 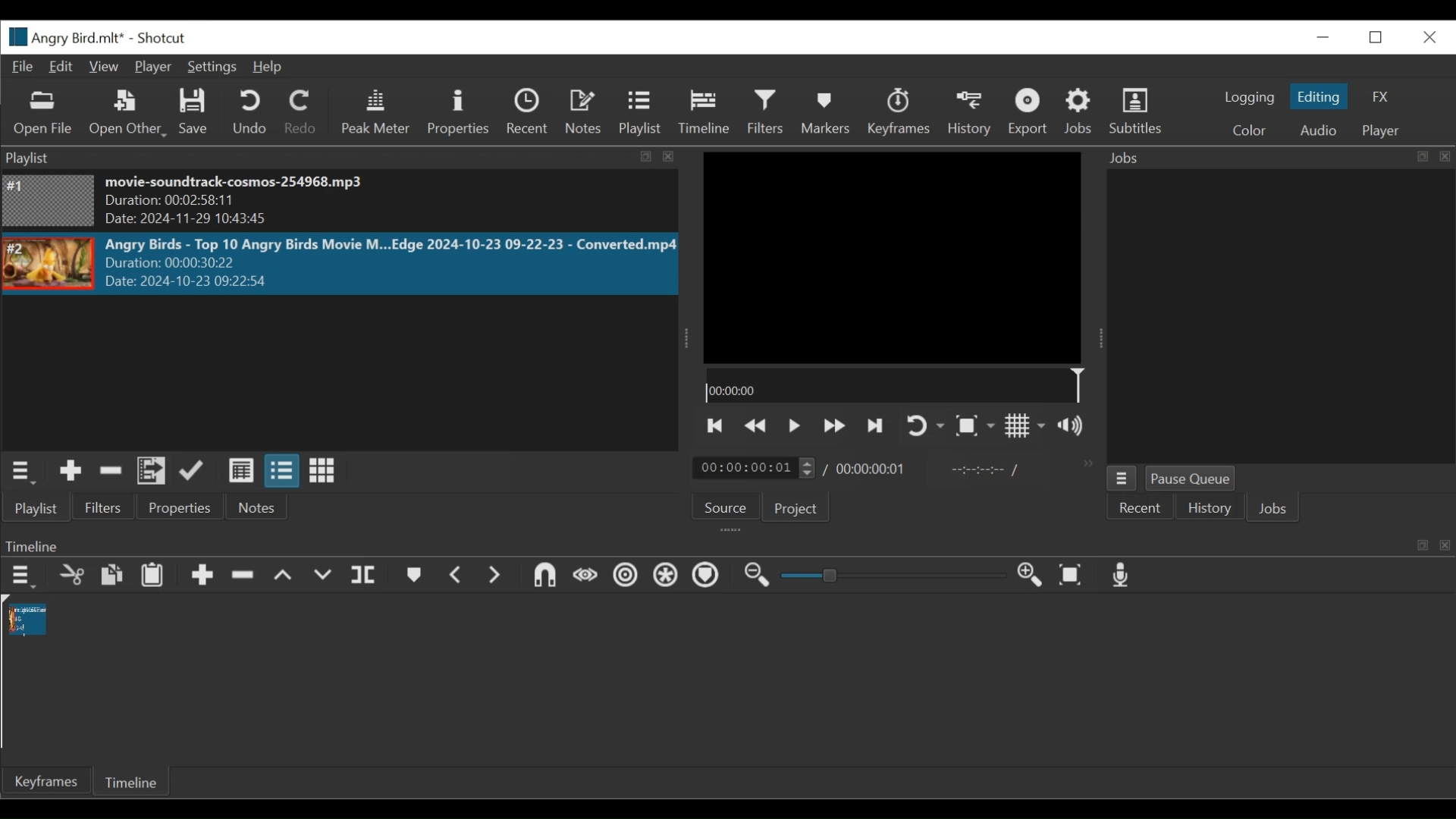 I want to click on Toggle play or pause, so click(x=795, y=426).